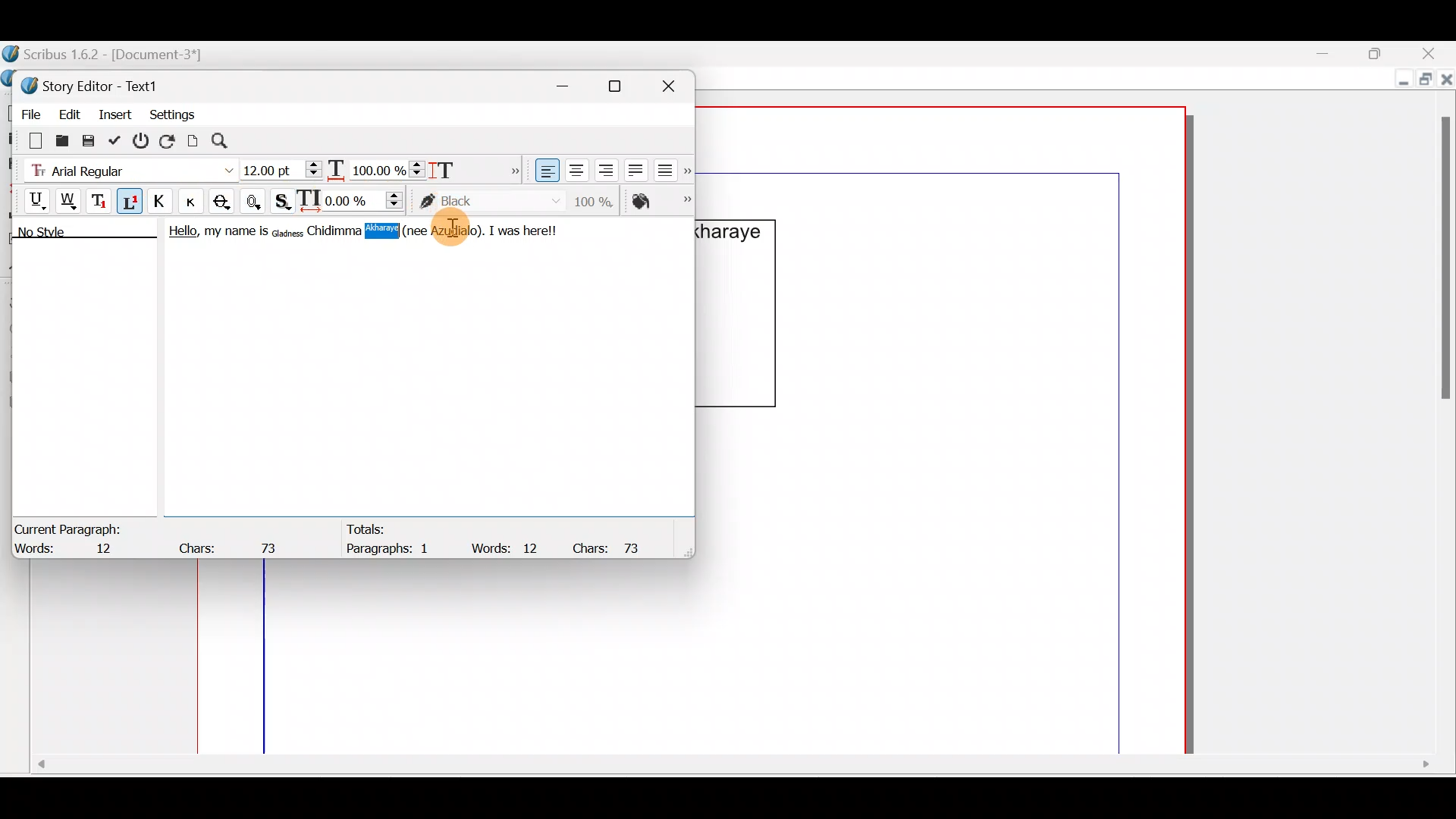 The width and height of the screenshot is (1456, 819). Describe the element at coordinates (1447, 83) in the screenshot. I see `Close` at that location.